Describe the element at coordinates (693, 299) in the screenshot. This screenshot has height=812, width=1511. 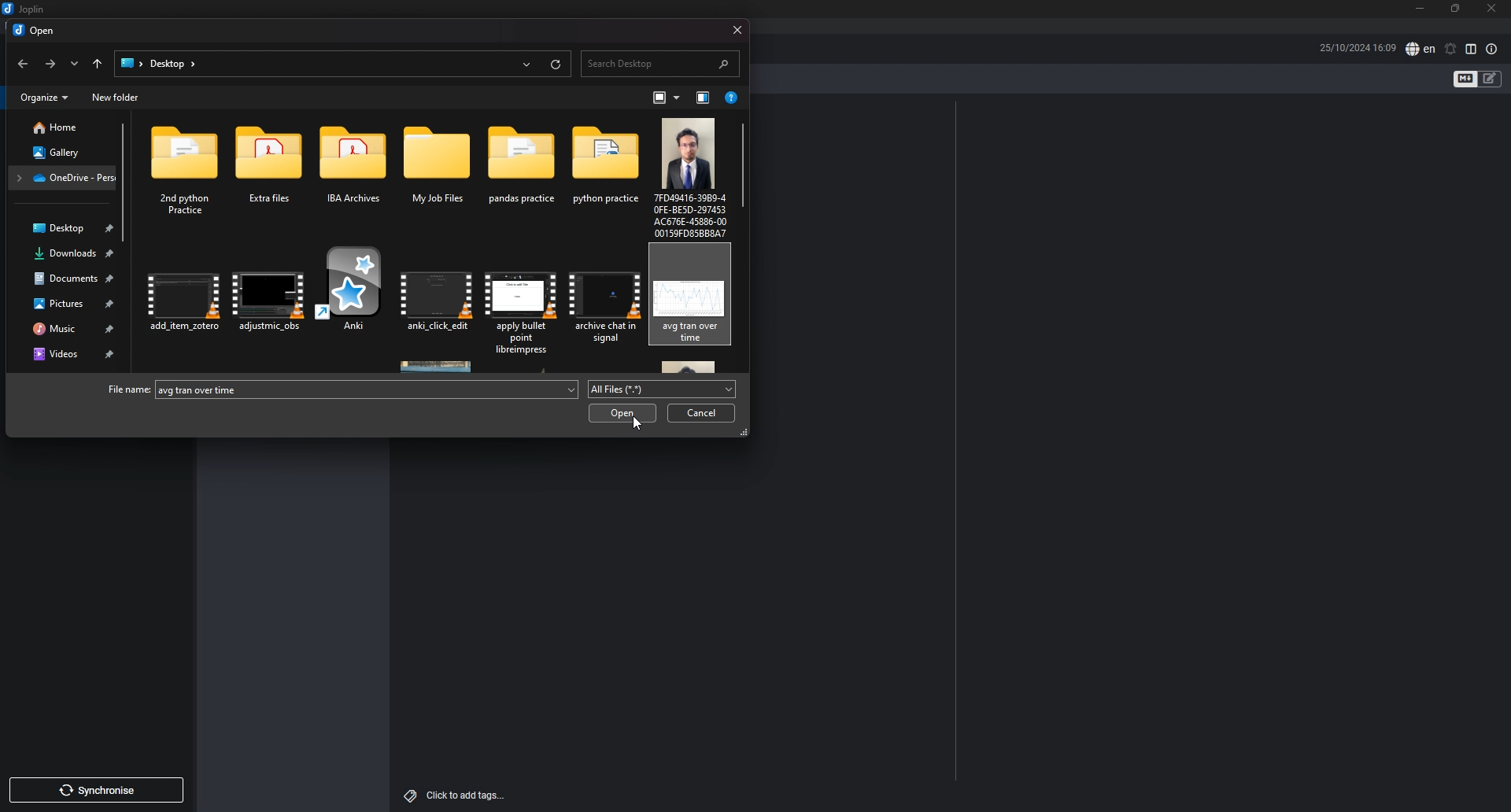
I see `avg. brand over tine` at that location.